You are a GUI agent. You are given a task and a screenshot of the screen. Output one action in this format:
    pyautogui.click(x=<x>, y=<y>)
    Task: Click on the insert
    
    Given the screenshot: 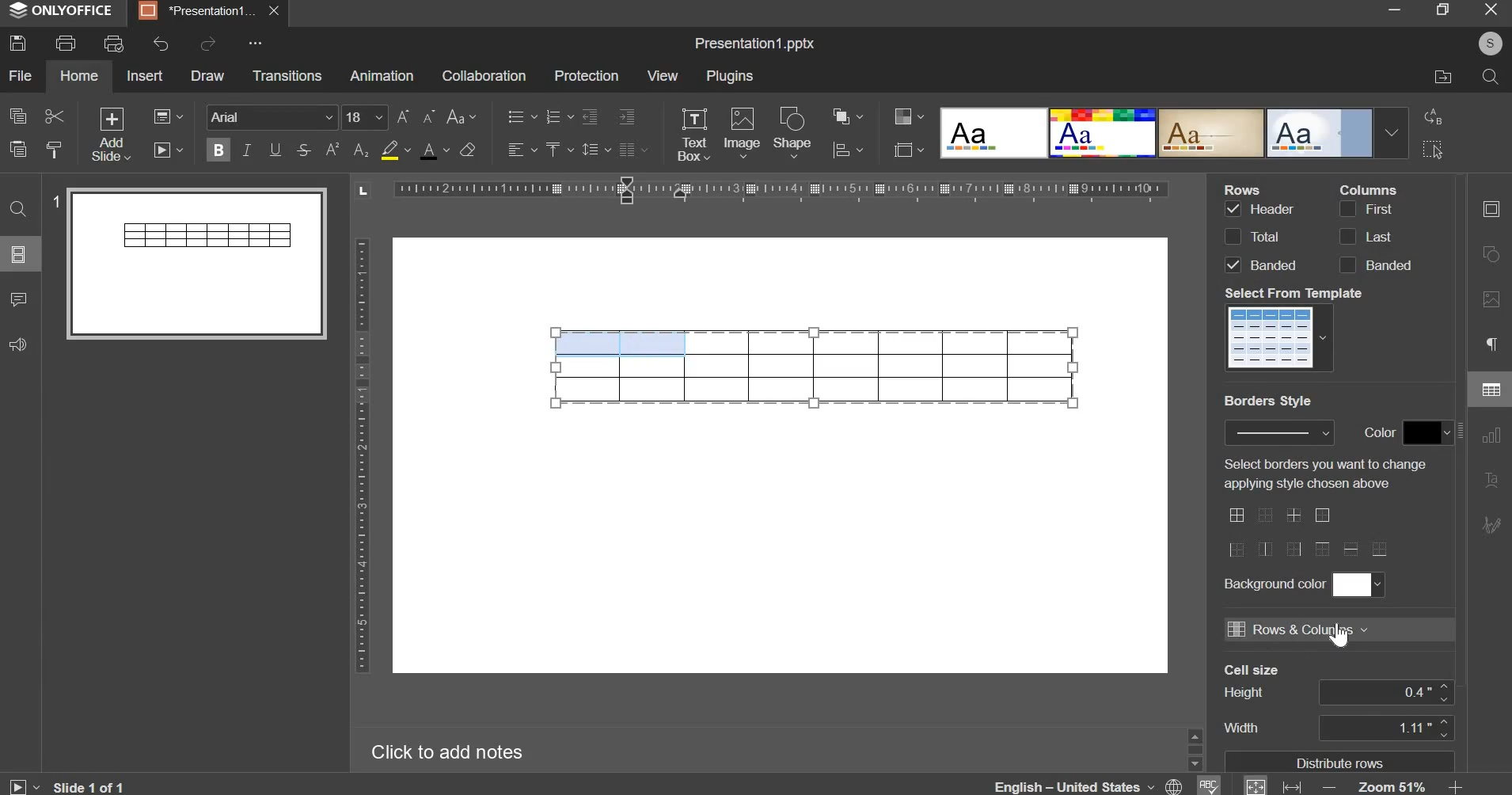 What is the action you would take?
    pyautogui.click(x=145, y=74)
    